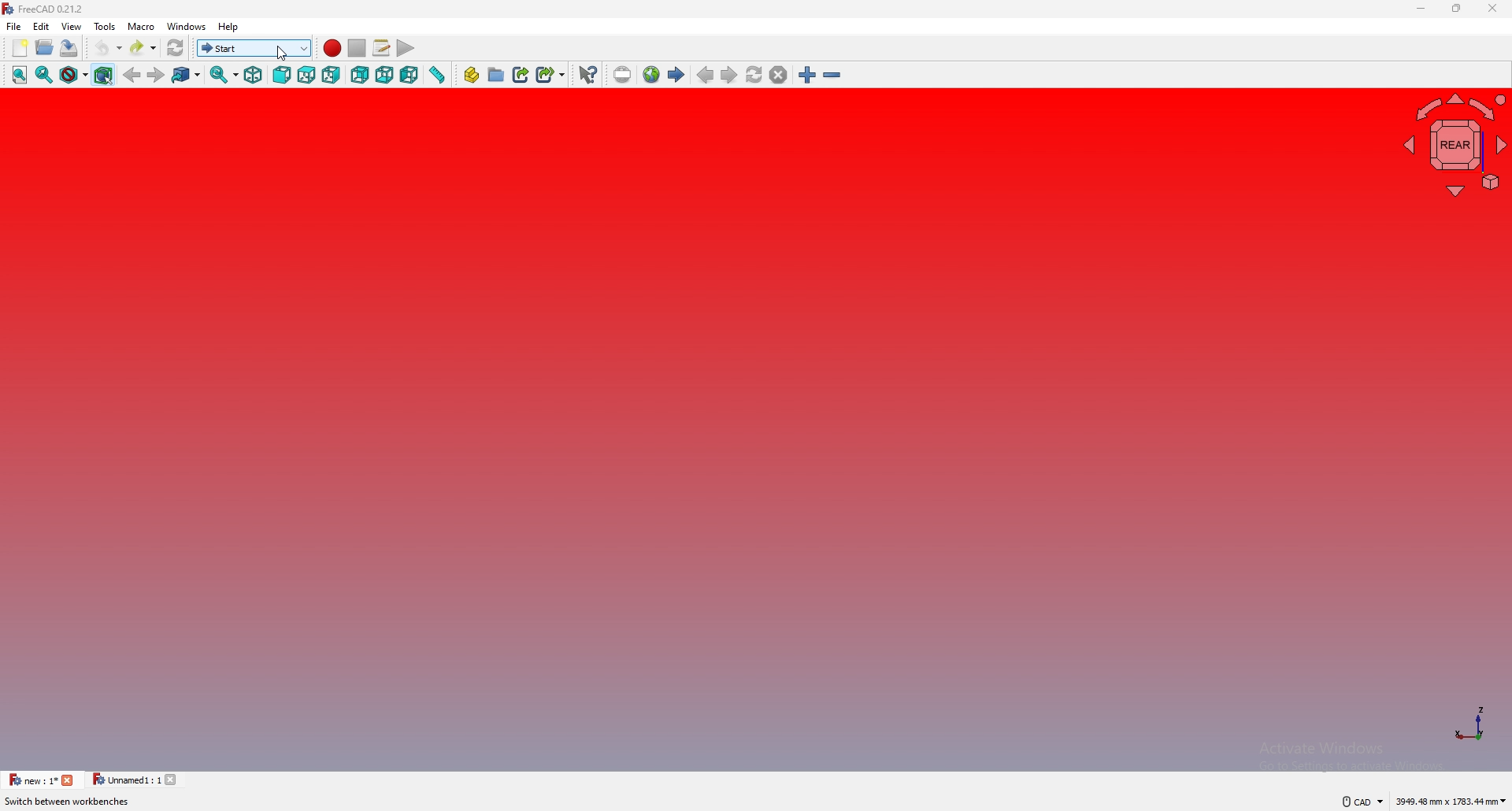  I want to click on draw style, so click(73, 74).